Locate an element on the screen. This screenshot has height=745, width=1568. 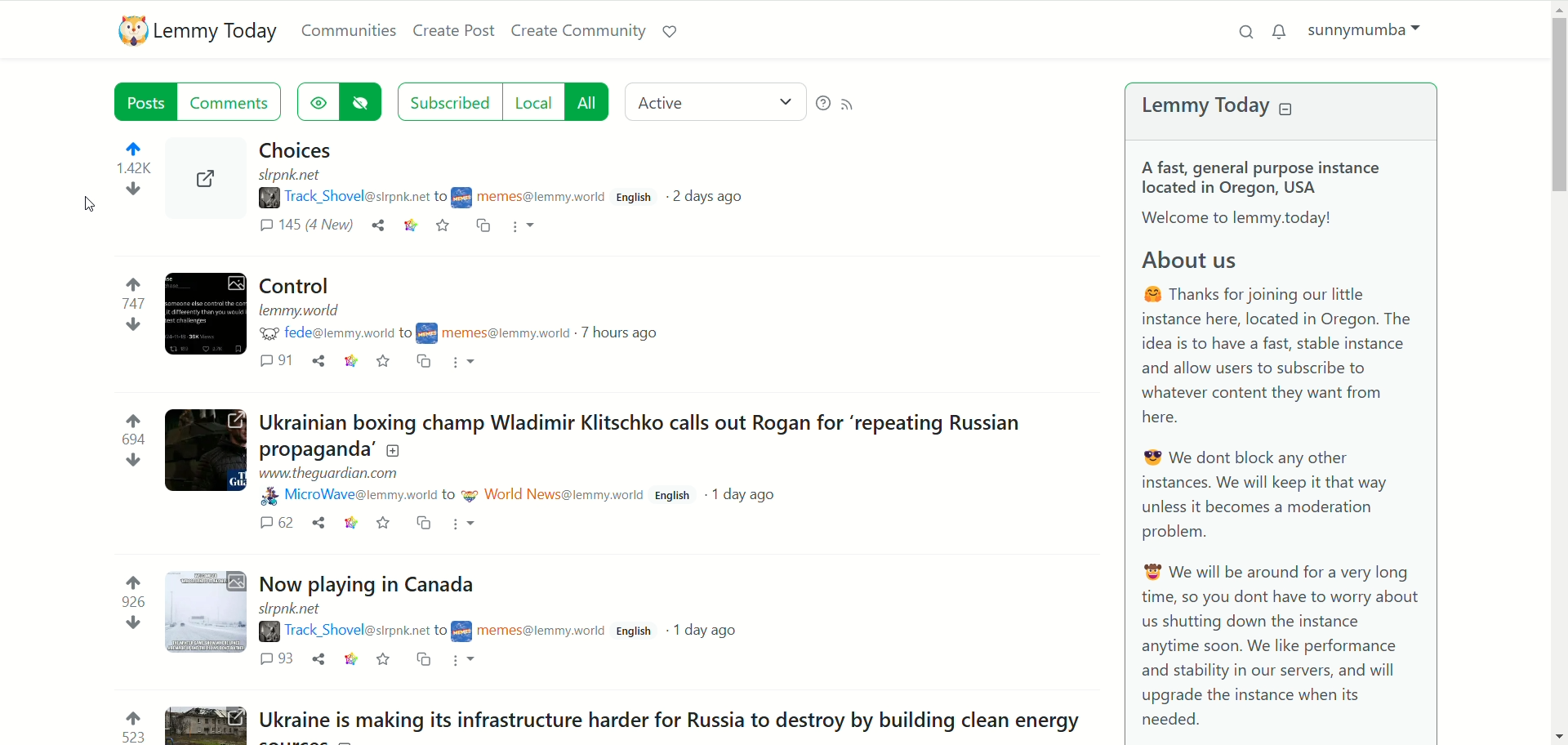
show hidden posts is located at coordinates (319, 104).